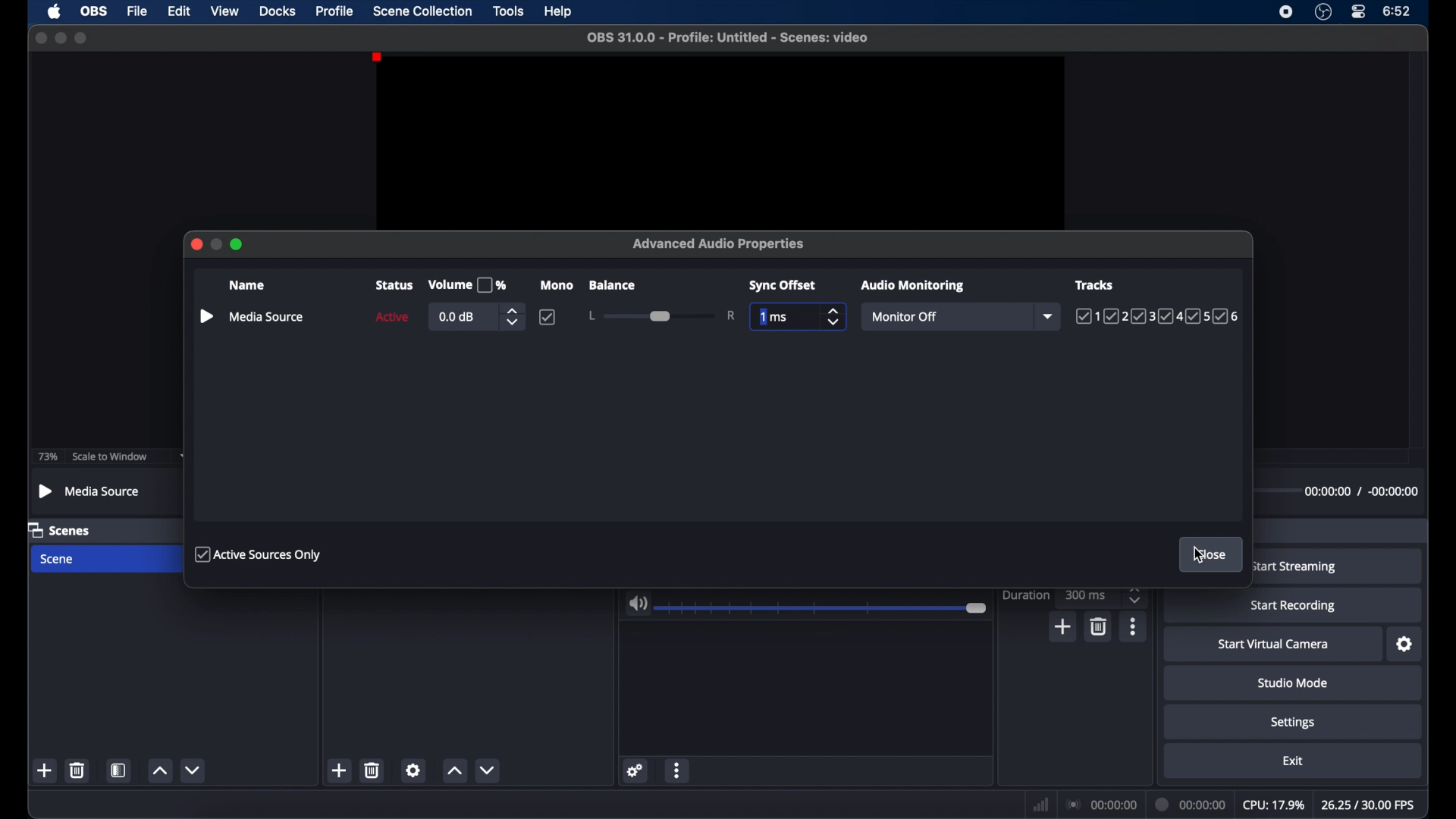 The height and width of the screenshot is (819, 1456). Describe the element at coordinates (1102, 805) in the screenshot. I see `connection` at that location.